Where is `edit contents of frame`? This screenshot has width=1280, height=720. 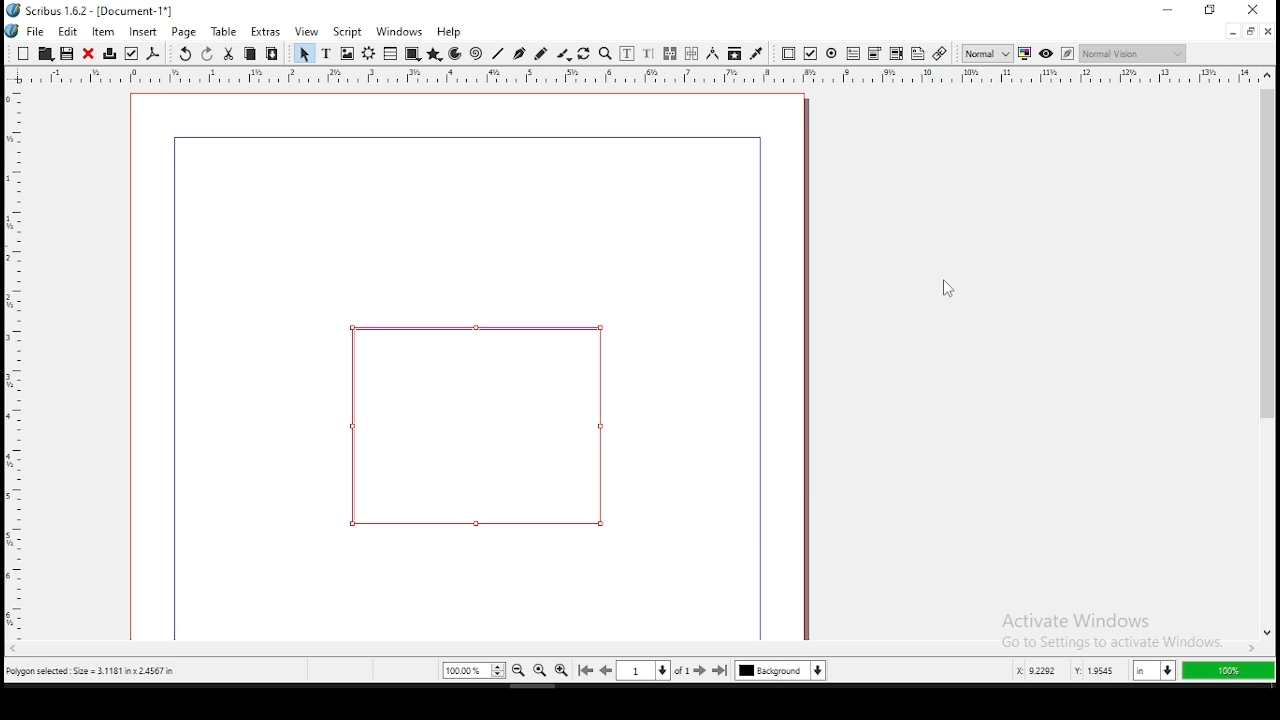 edit contents of frame is located at coordinates (627, 54).